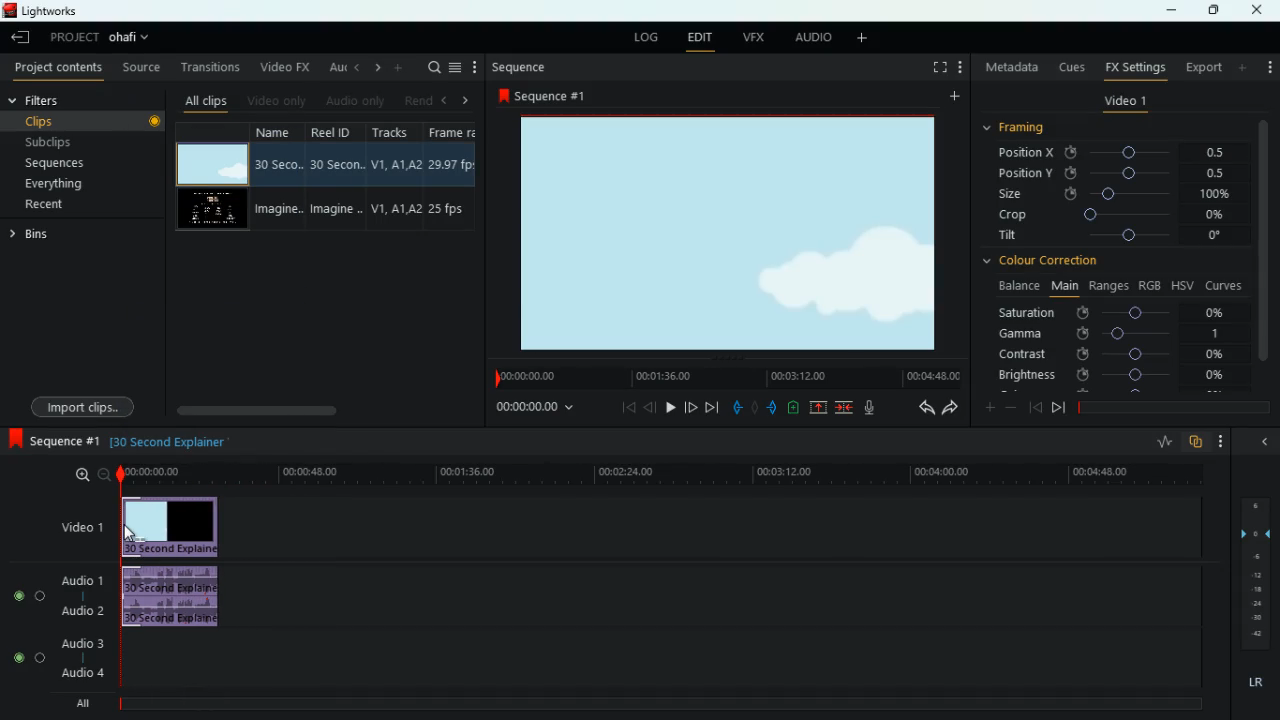 This screenshot has width=1280, height=720. I want to click on subclips, so click(83, 141).